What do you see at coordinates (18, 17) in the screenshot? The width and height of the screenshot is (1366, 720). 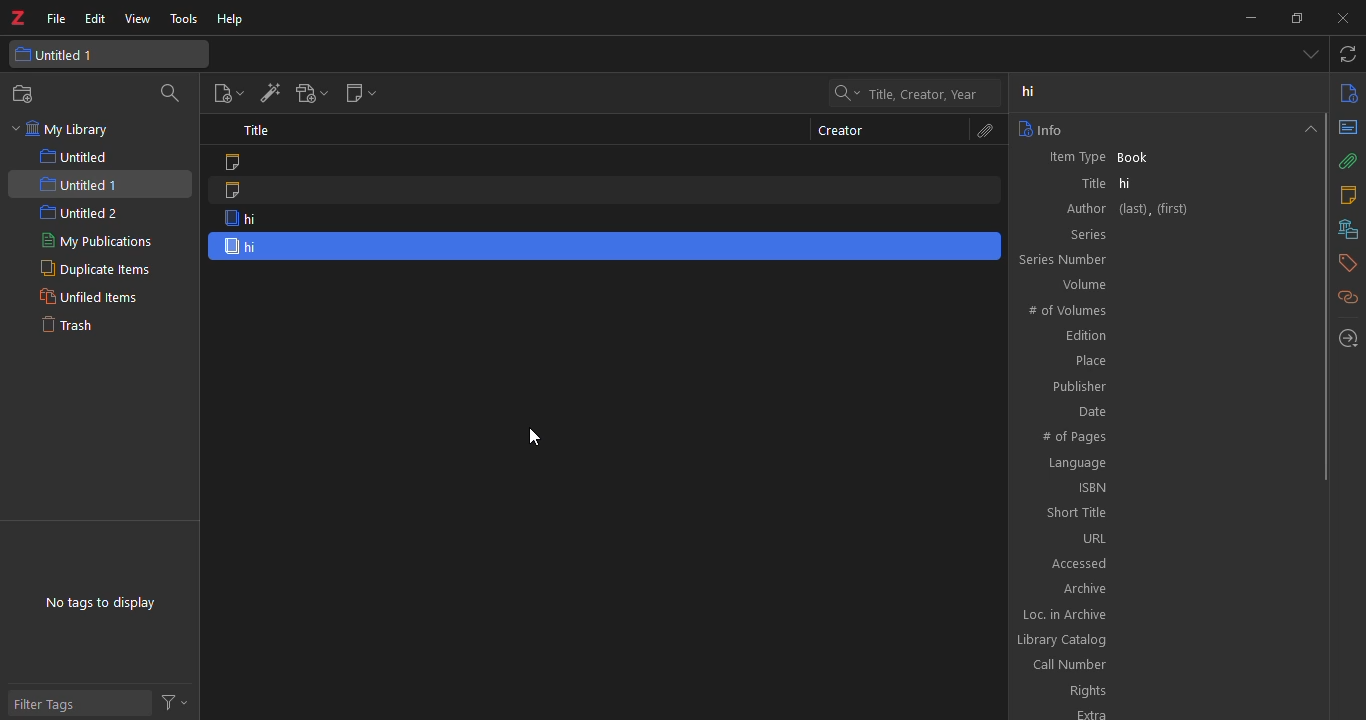 I see `z` at bounding box center [18, 17].